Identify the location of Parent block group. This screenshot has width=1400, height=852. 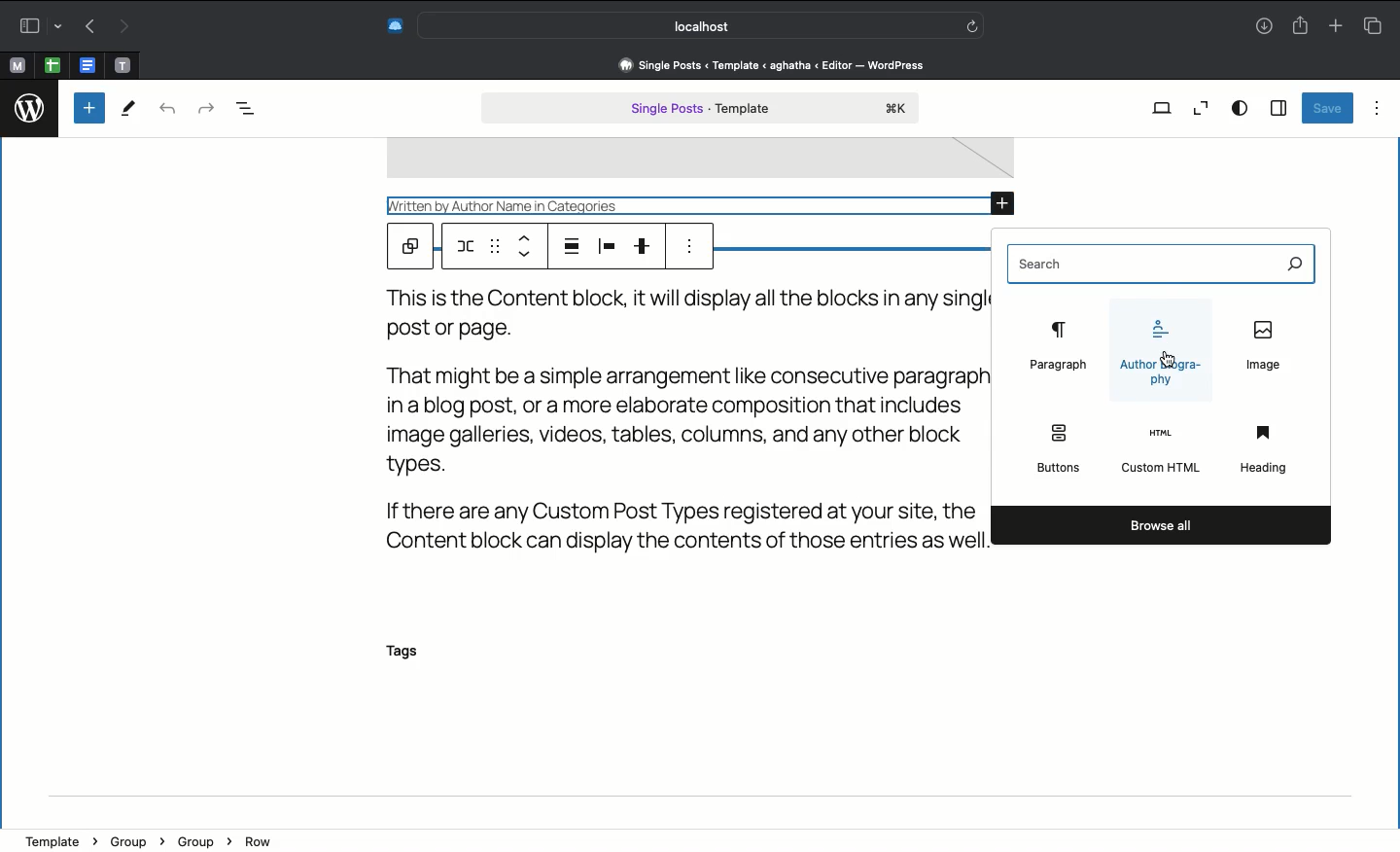
(409, 247).